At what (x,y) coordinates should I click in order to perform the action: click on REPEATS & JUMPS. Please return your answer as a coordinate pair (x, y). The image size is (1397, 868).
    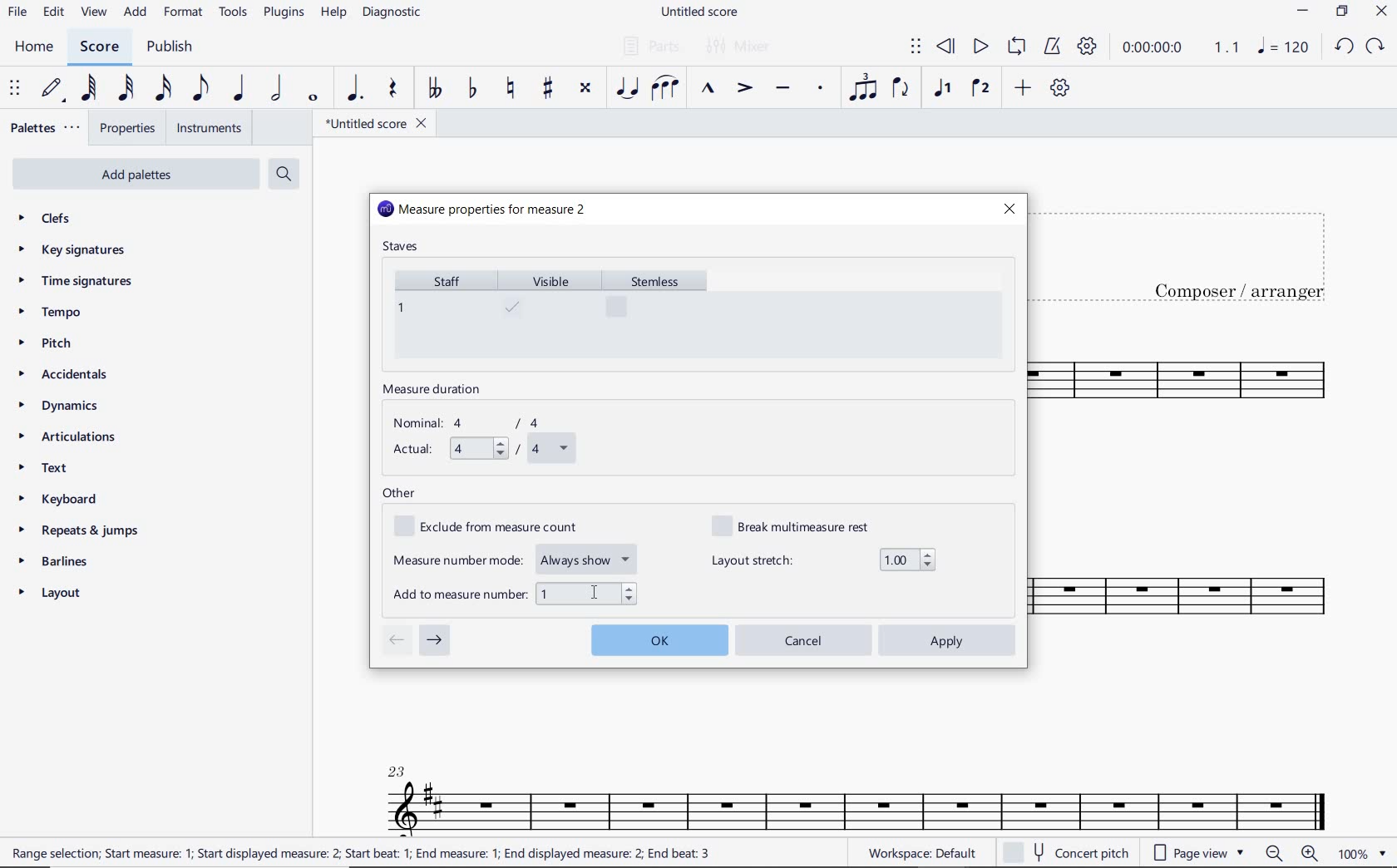
    Looking at the image, I should click on (79, 533).